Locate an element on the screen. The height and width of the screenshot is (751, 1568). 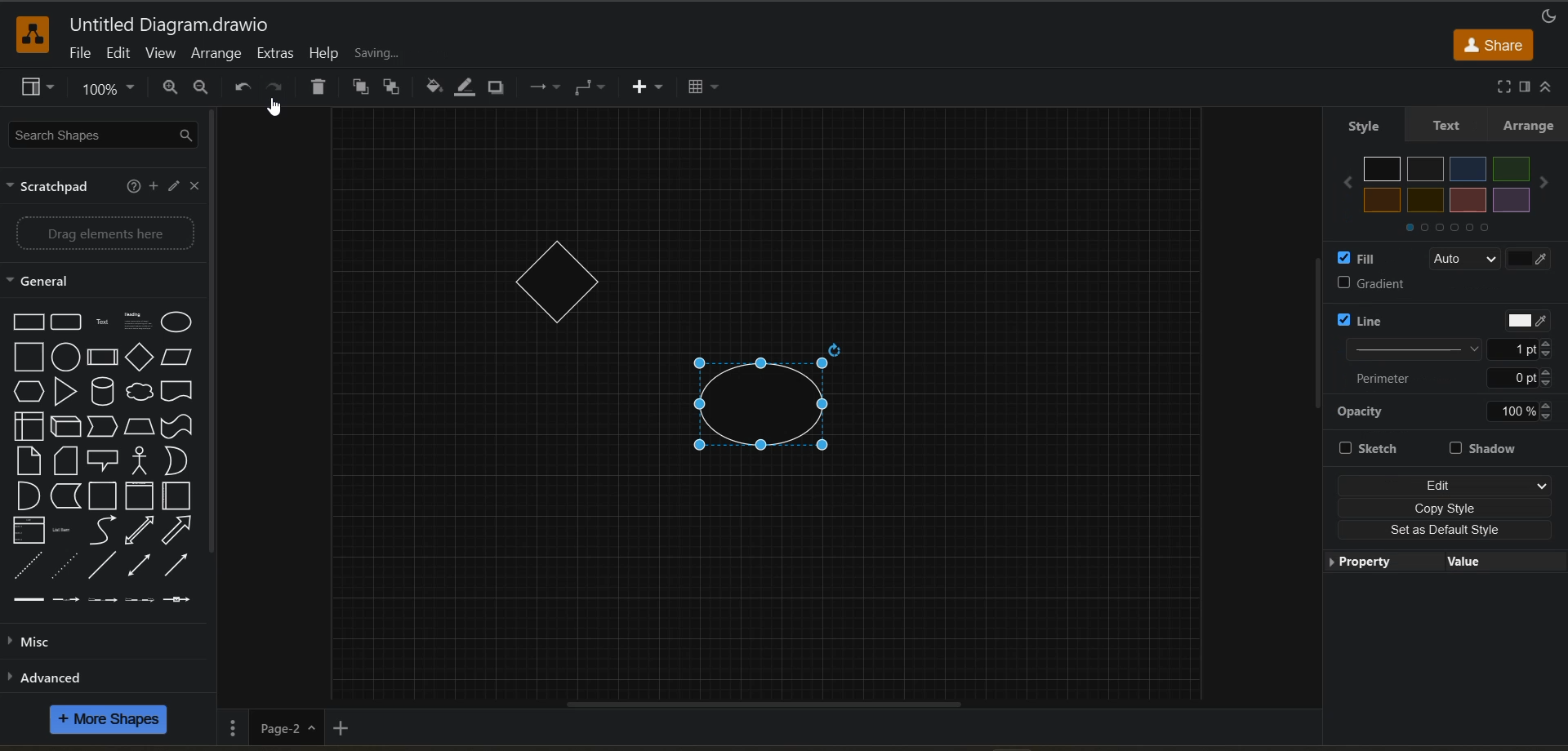
to back is located at coordinates (393, 86).